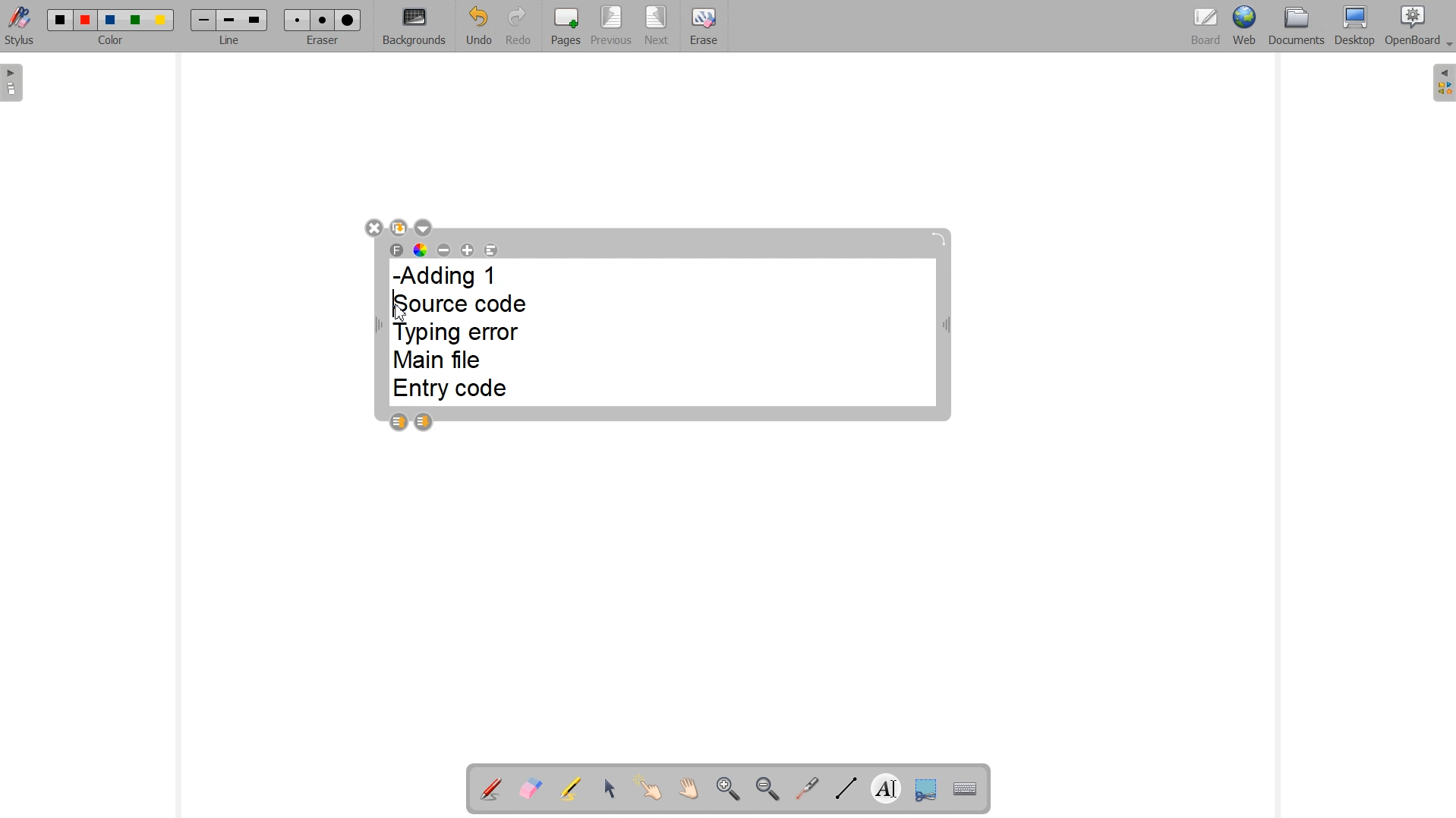  What do you see at coordinates (886, 786) in the screenshot?
I see `Write text` at bounding box center [886, 786].